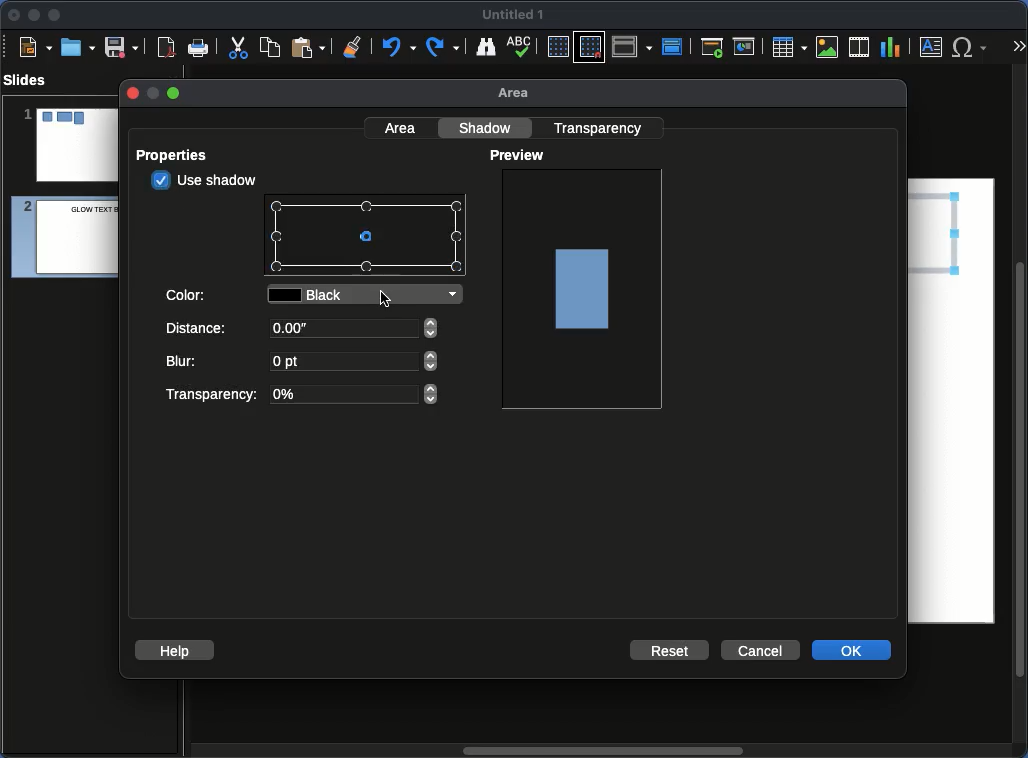 The image size is (1028, 758). What do you see at coordinates (932, 46) in the screenshot?
I see `Textbox` at bounding box center [932, 46].